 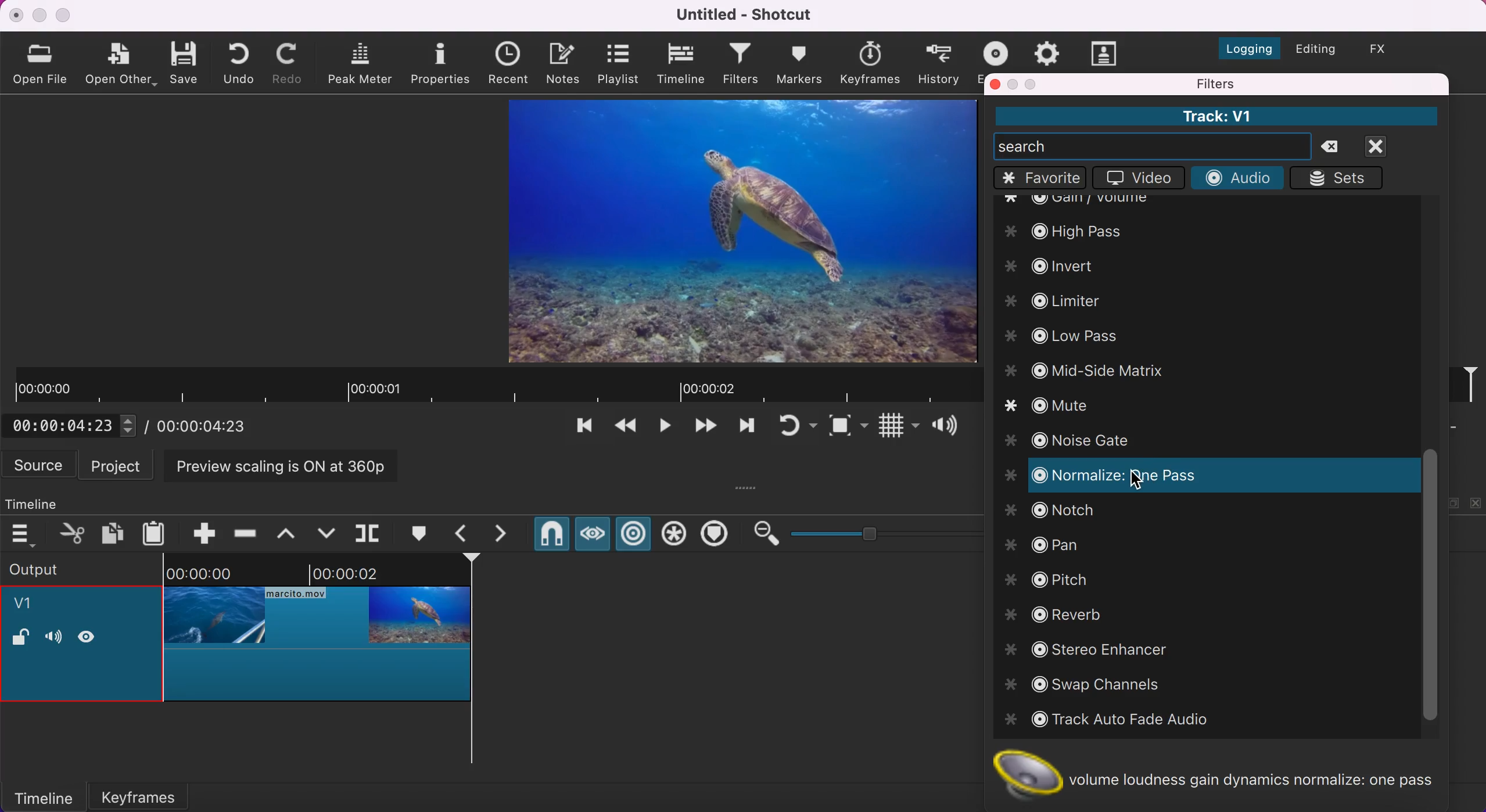 What do you see at coordinates (624, 429) in the screenshot?
I see `play quickly backwards` at bounding box center [624, 429].